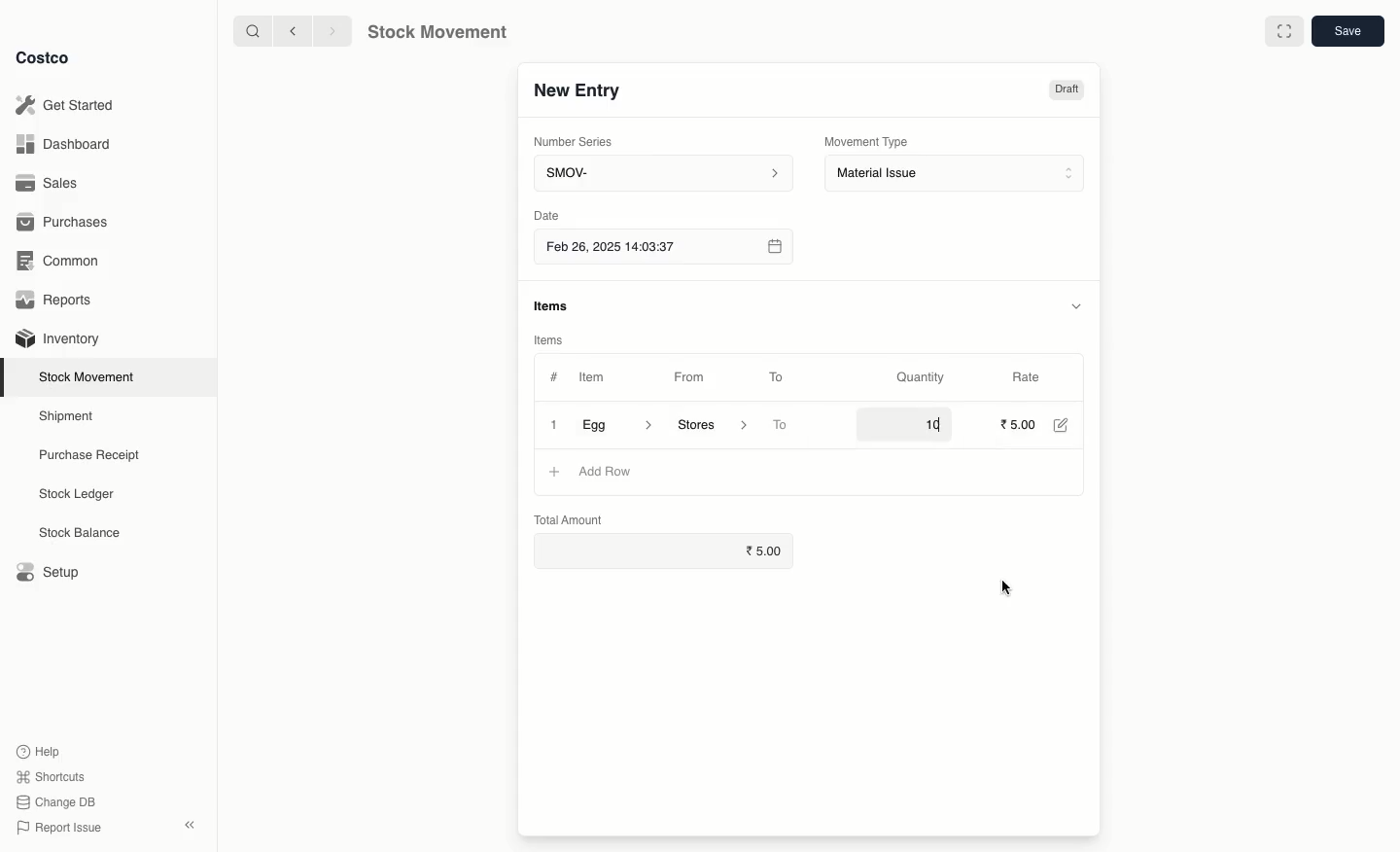 Image resolution: width=1400 pixels, height=852 pixels. Describe the element at coordinates (553, 306) in the screenshot. I see `items` at that location.